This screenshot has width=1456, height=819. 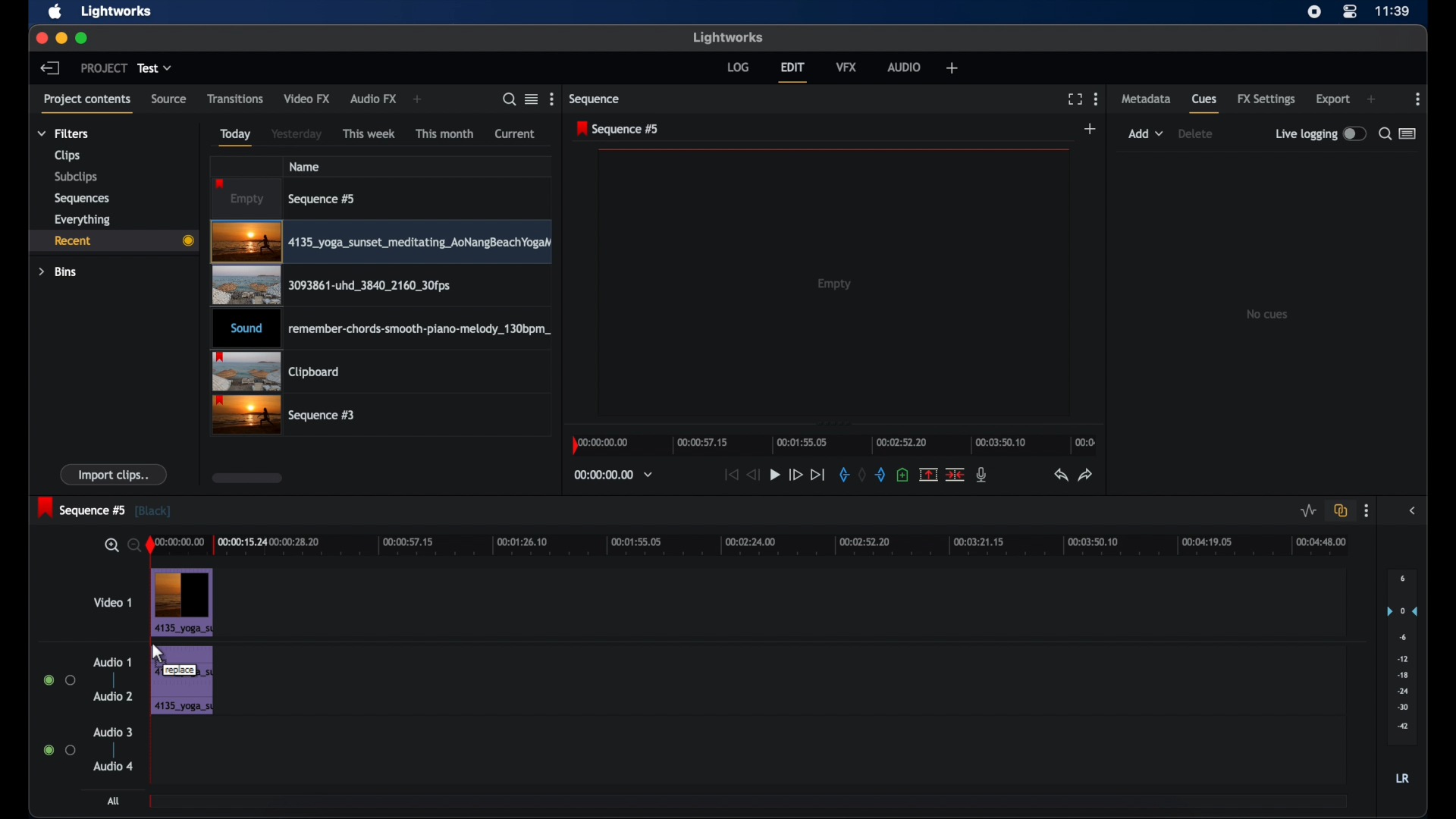 What do you see at coordinates (729, 474) in the screenshot?
I see `jump to start` at bounding box center [729, 474].